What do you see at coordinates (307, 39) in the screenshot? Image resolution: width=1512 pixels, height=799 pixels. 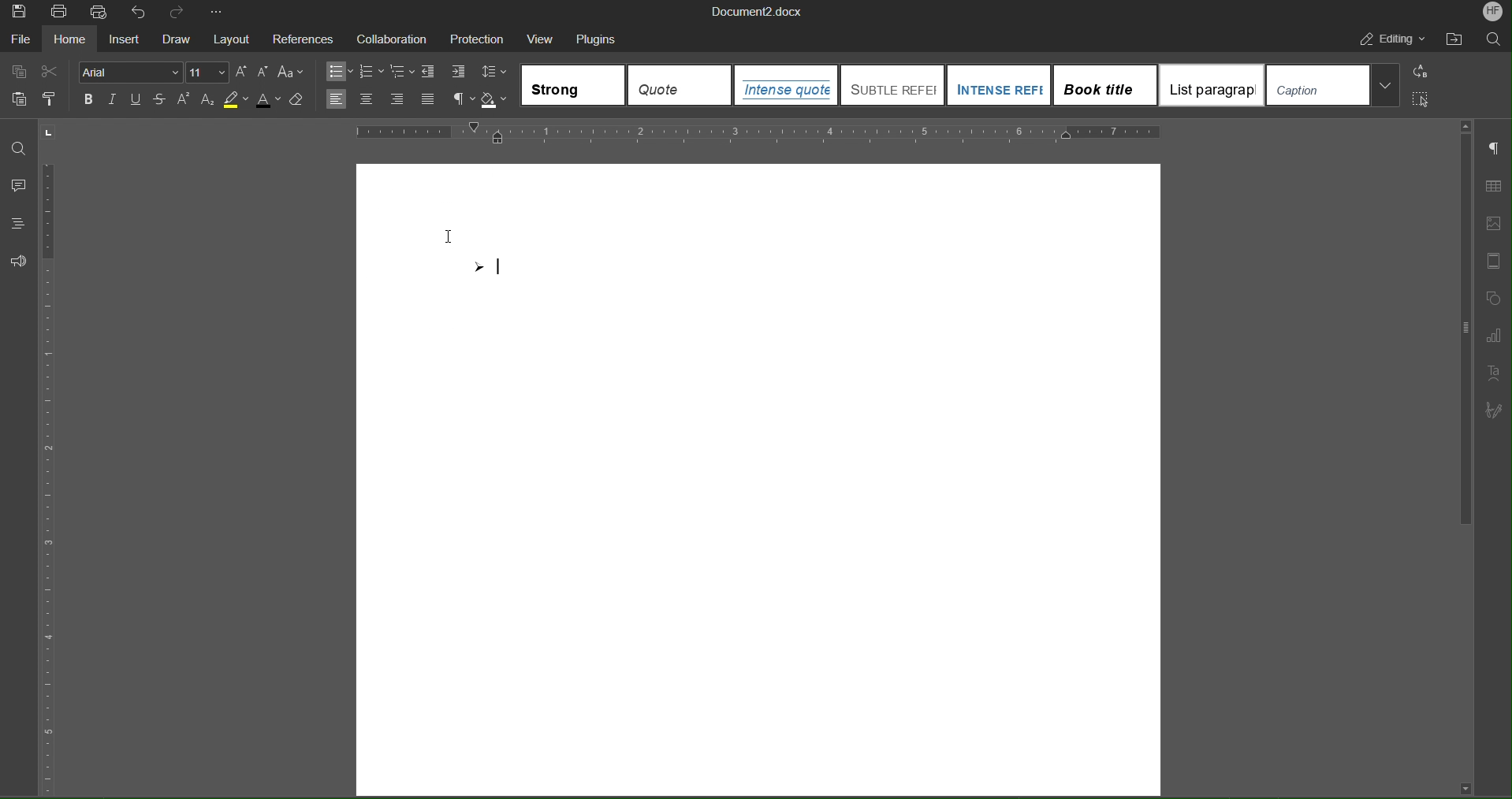 I see `References` at bounding box center [307, 39].